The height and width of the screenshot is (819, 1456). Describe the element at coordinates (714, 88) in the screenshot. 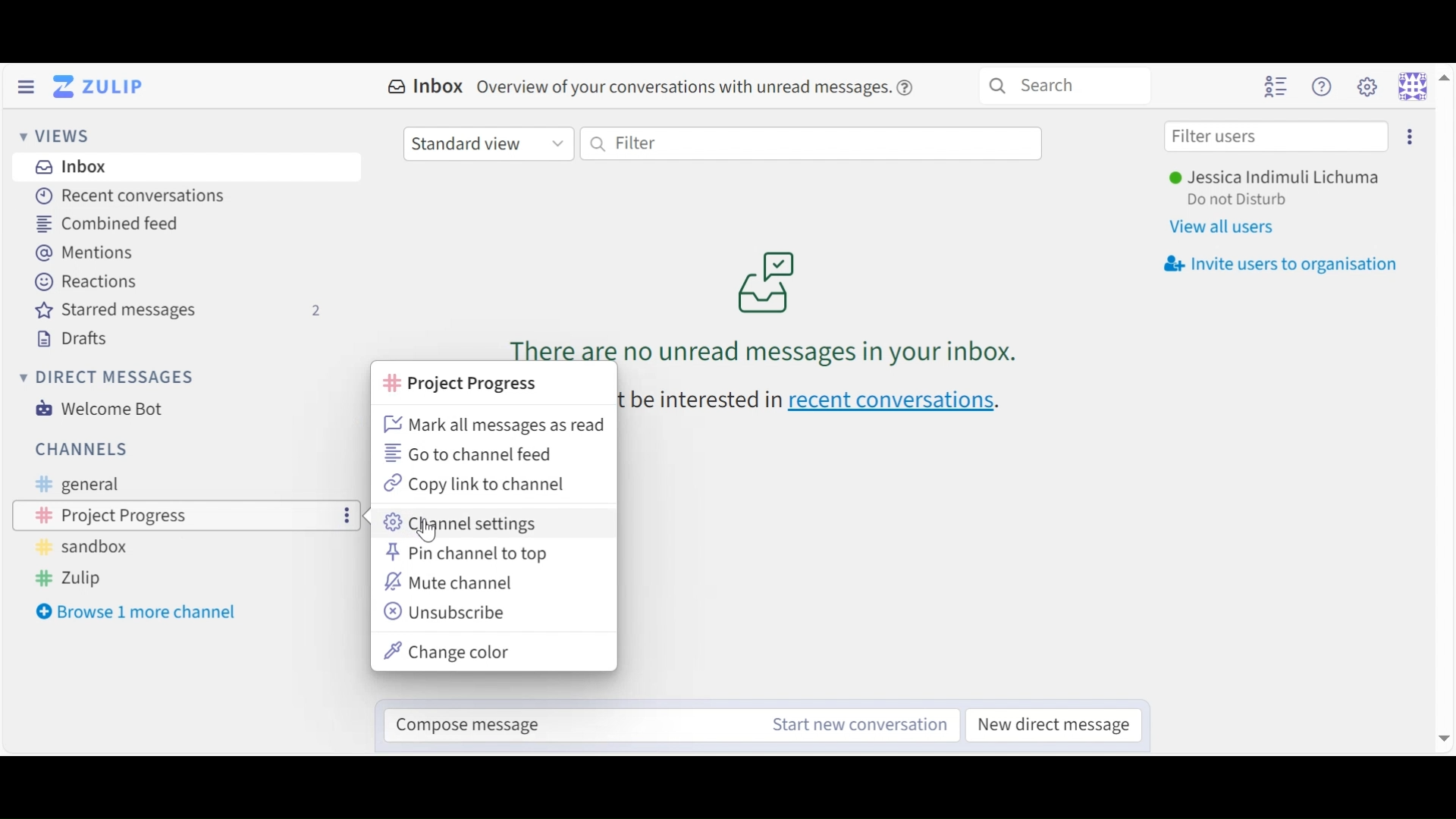

I see `overview` at that location.